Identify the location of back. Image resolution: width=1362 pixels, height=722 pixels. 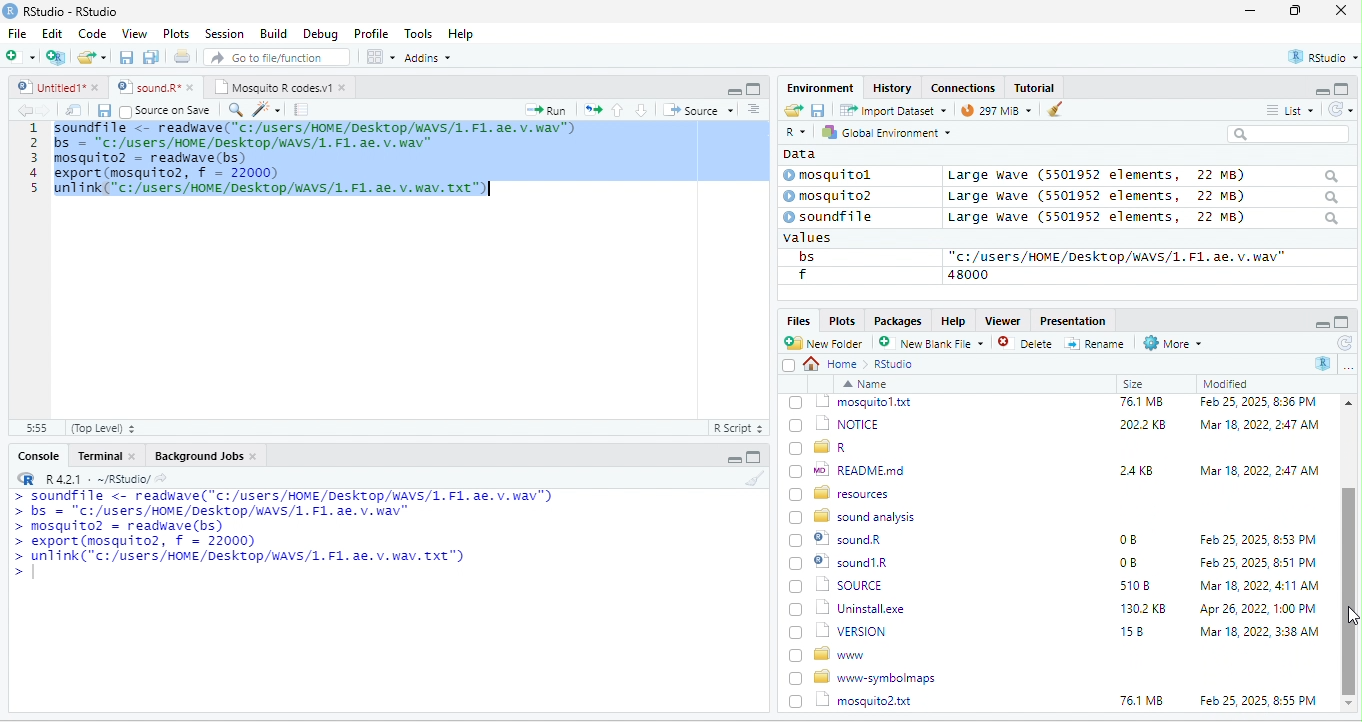
(28, 111).